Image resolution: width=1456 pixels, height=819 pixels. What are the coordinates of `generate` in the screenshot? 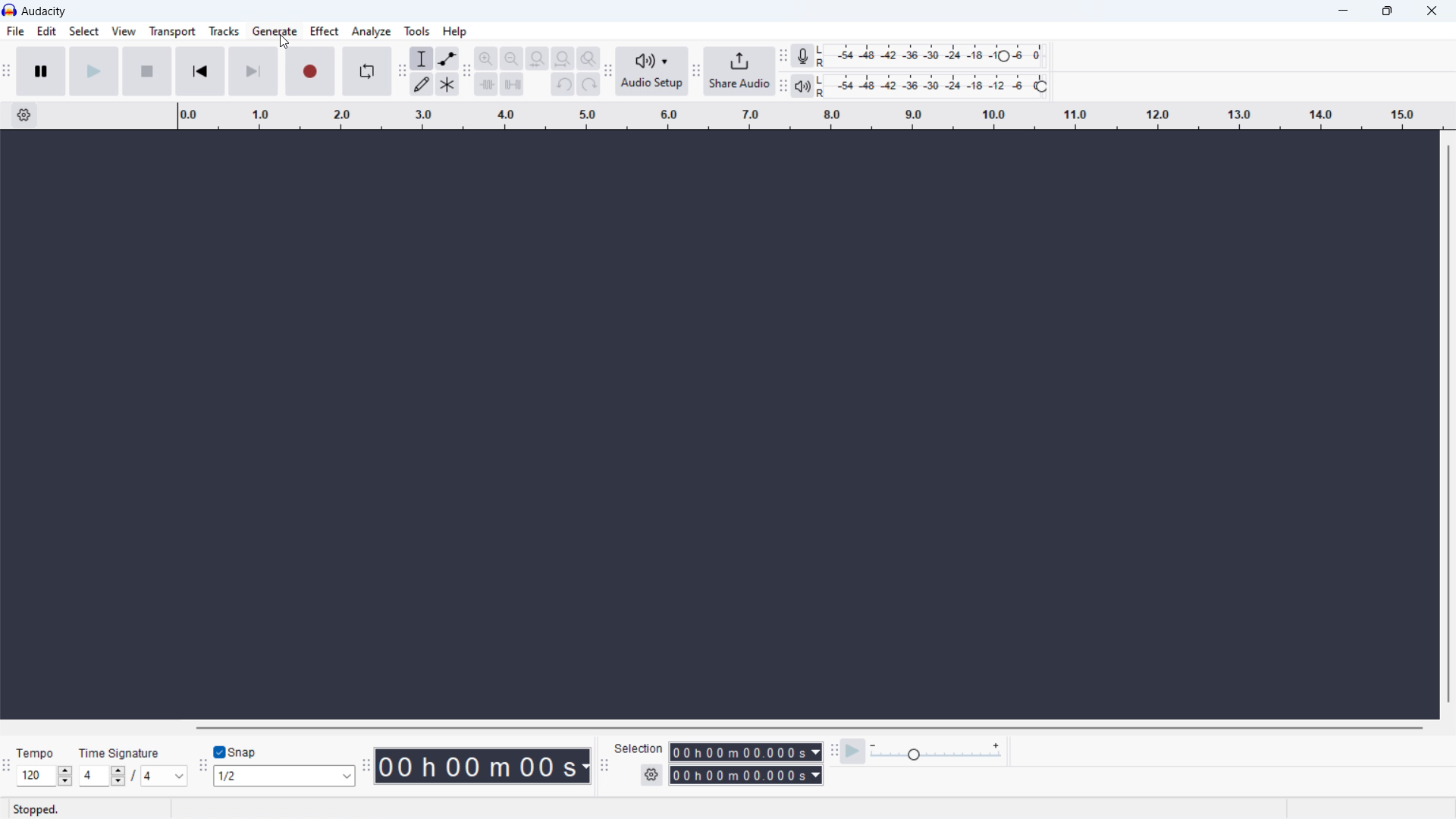 It's located at (275, 31).